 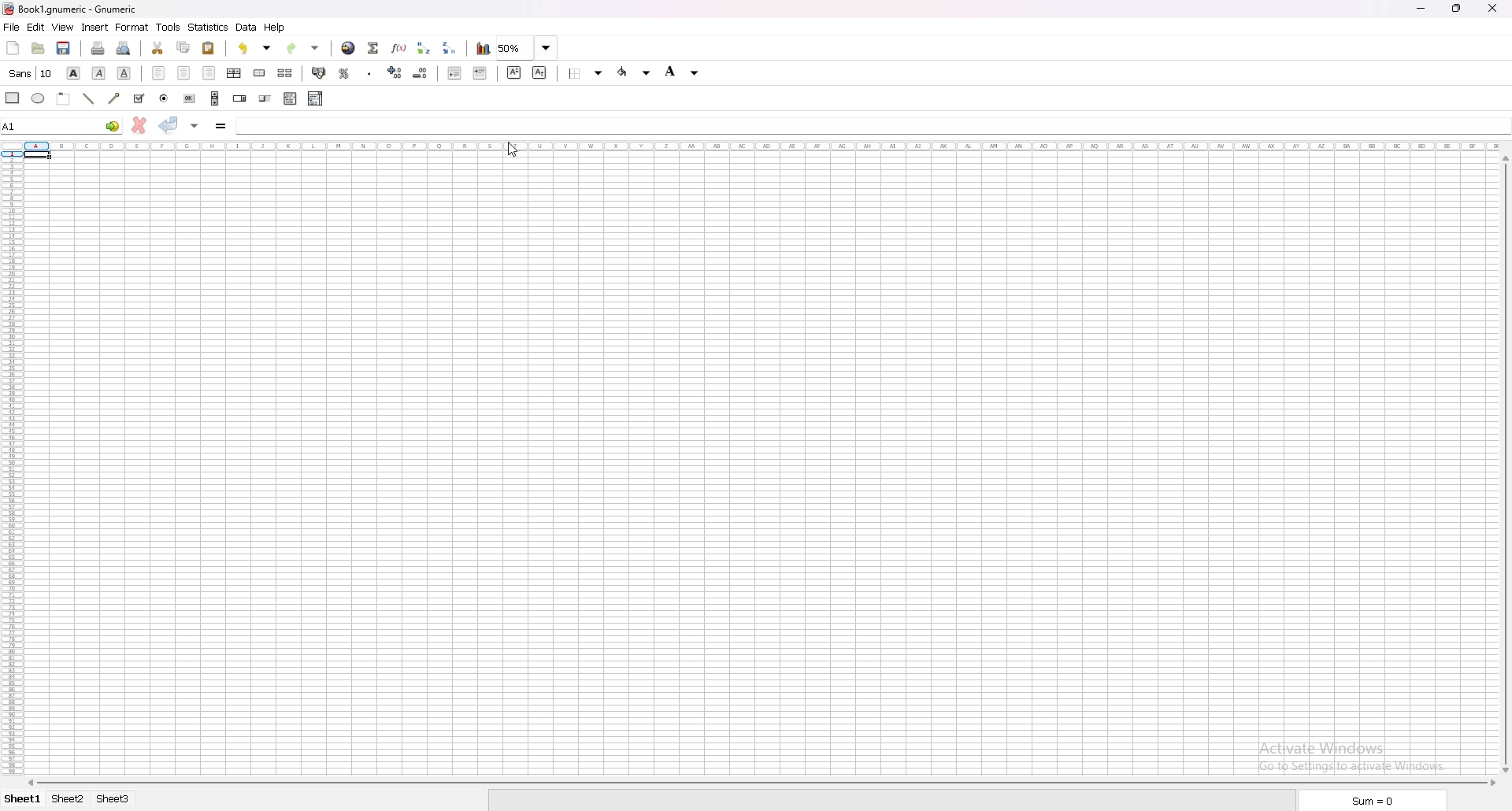 I want to click on Maximize, so click(x=1456, y=9).